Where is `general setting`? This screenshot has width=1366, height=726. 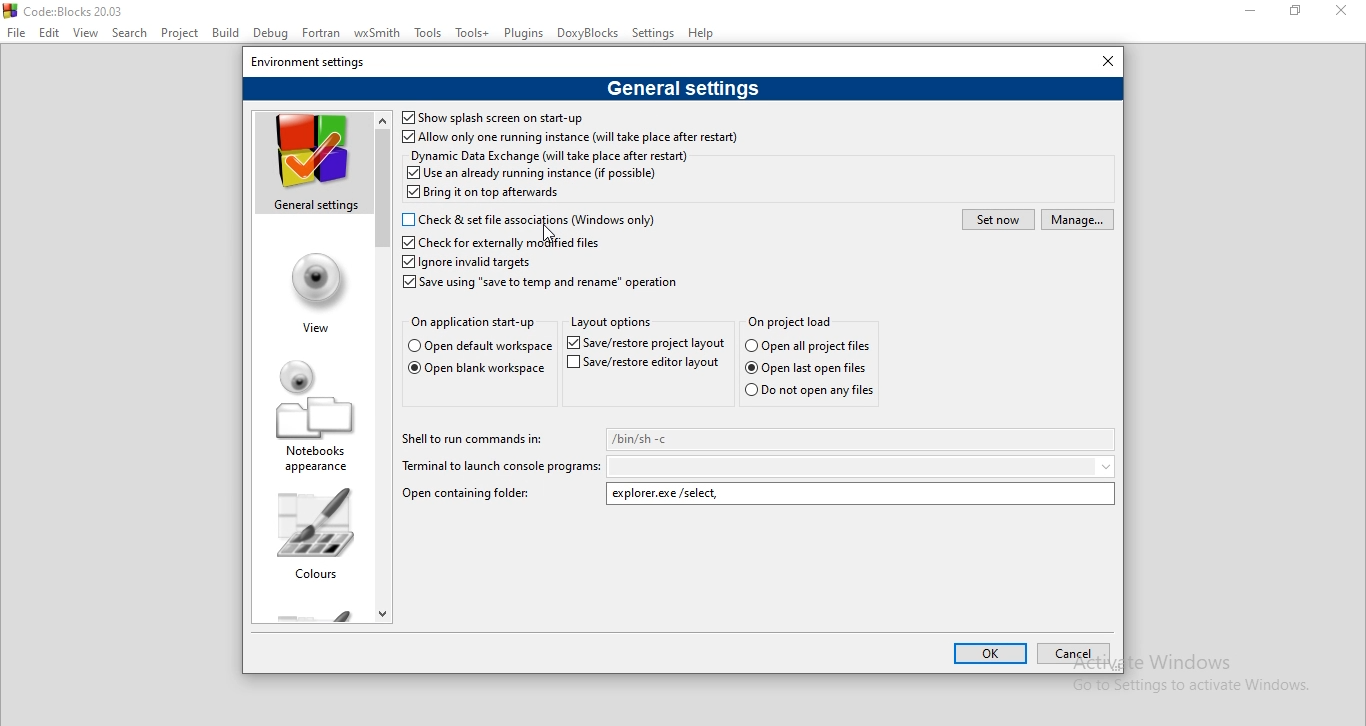 general setting is located at coordinates (309, 164).